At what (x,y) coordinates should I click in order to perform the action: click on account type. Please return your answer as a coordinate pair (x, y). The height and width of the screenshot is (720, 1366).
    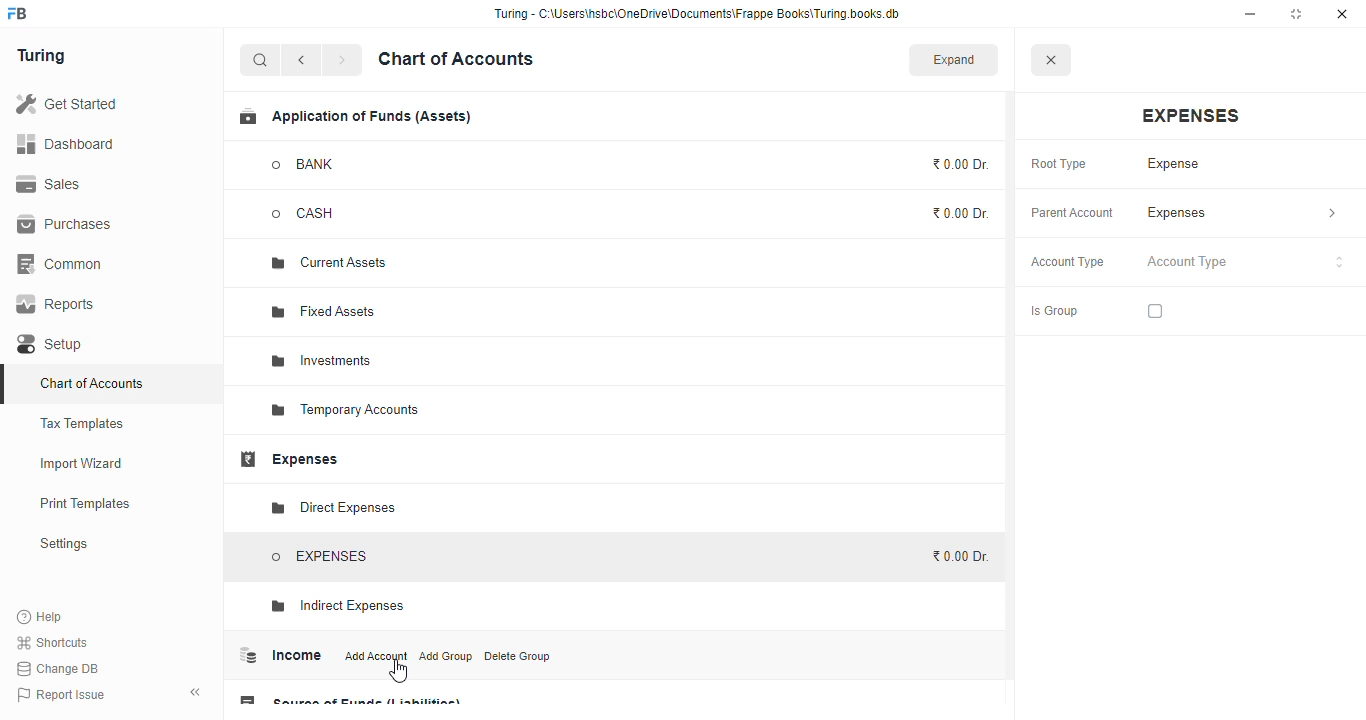
    Looking at the image, I should click on (1068, 262).